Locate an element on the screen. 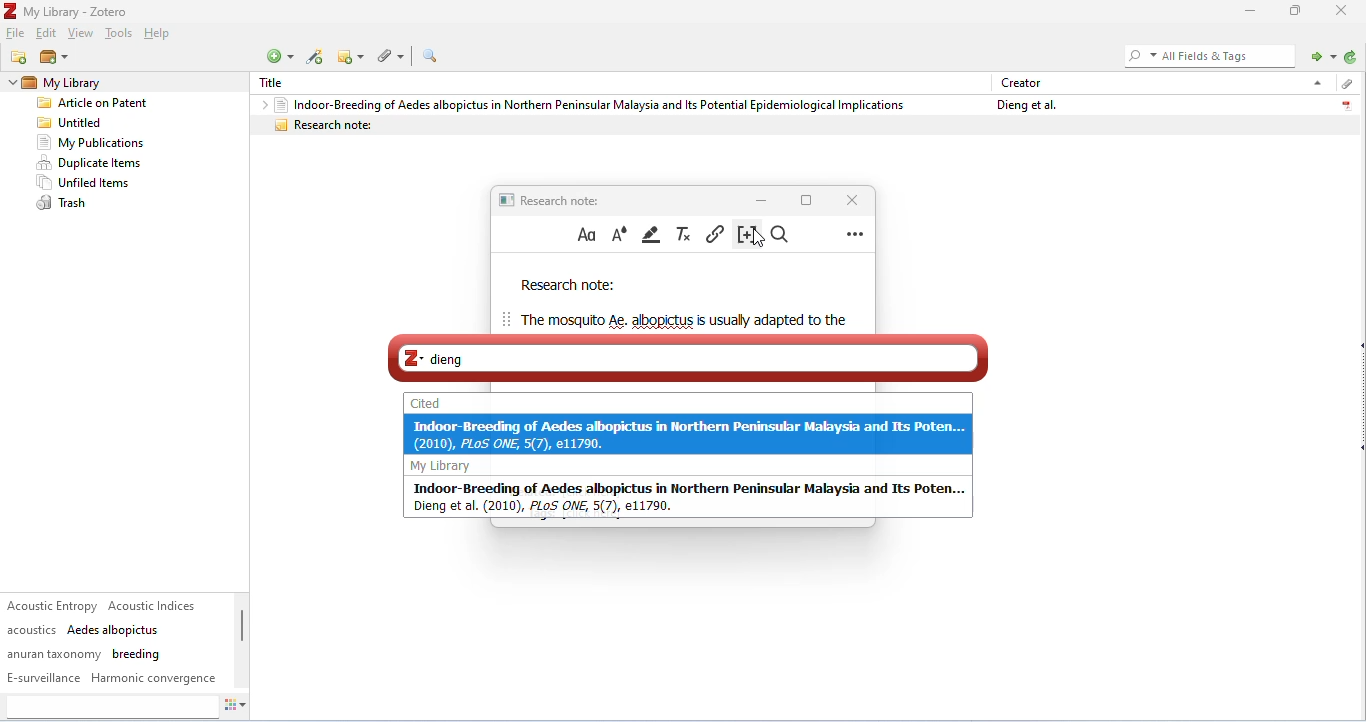 This screenshot has width=1366, height=722. tags is located at coordinates (113, 642).